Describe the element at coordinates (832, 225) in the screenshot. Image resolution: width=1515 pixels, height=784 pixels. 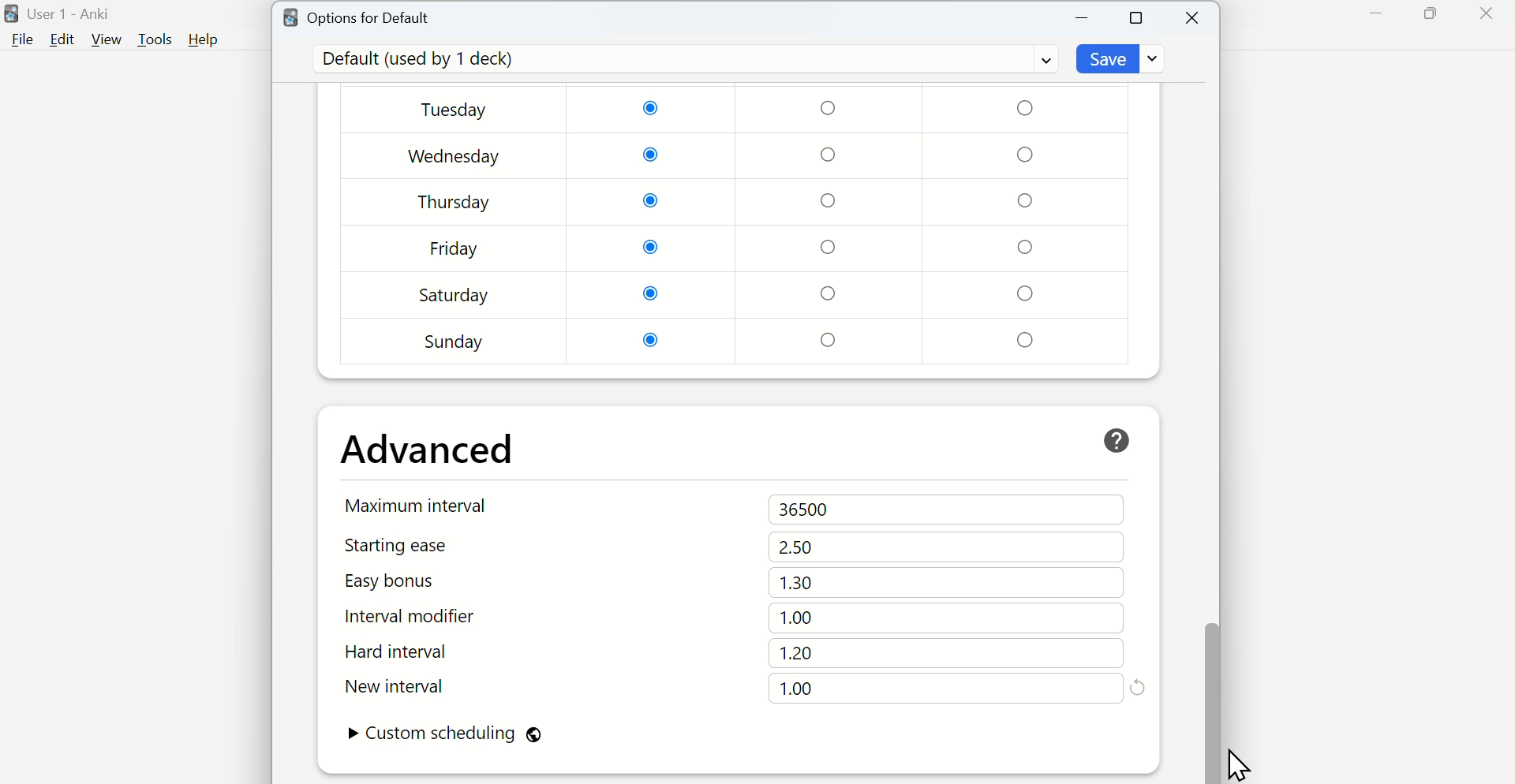
I see `Checkboxes` at that location.